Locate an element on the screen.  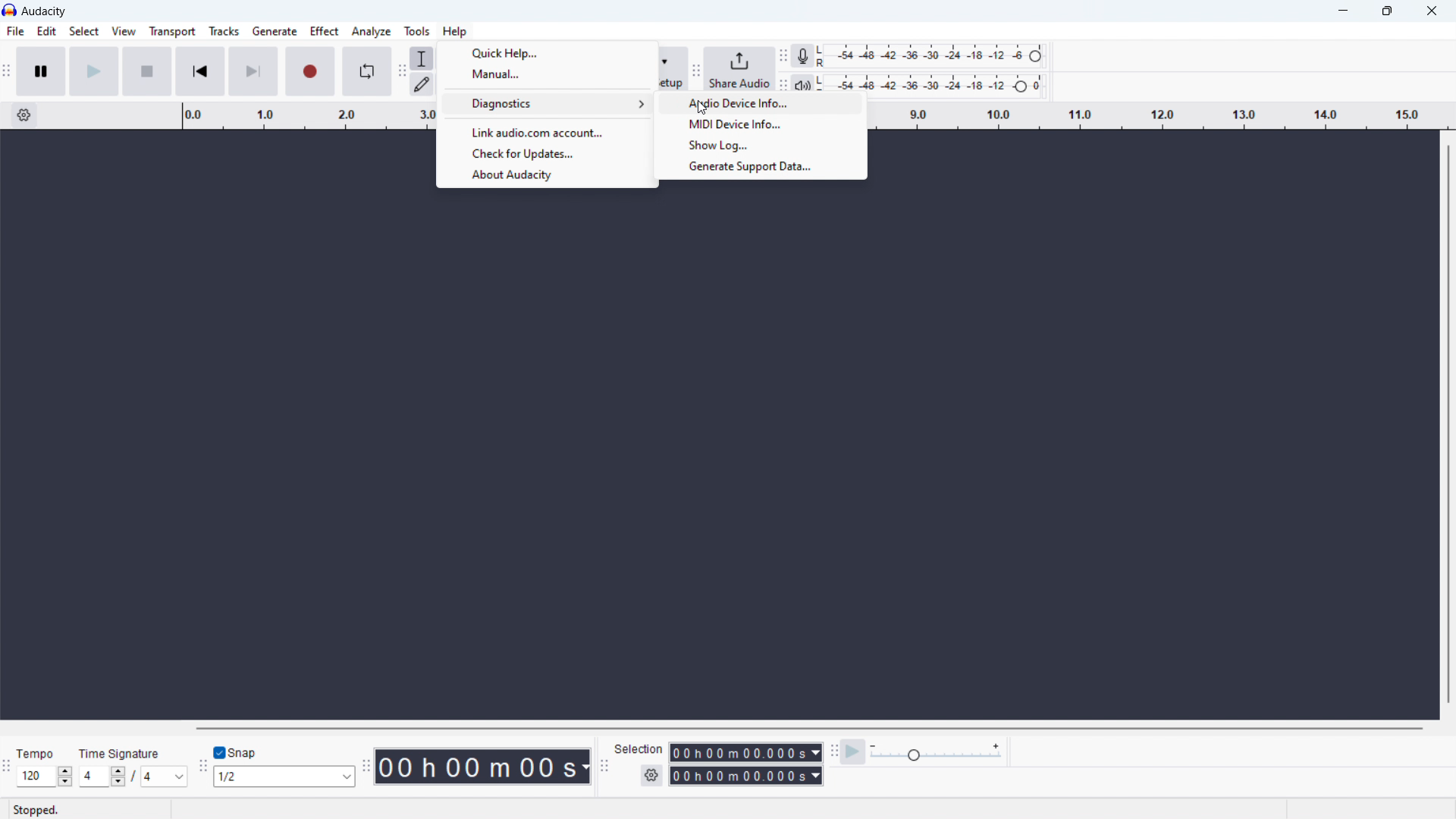
check for updates is located at coordinates (548, 155).